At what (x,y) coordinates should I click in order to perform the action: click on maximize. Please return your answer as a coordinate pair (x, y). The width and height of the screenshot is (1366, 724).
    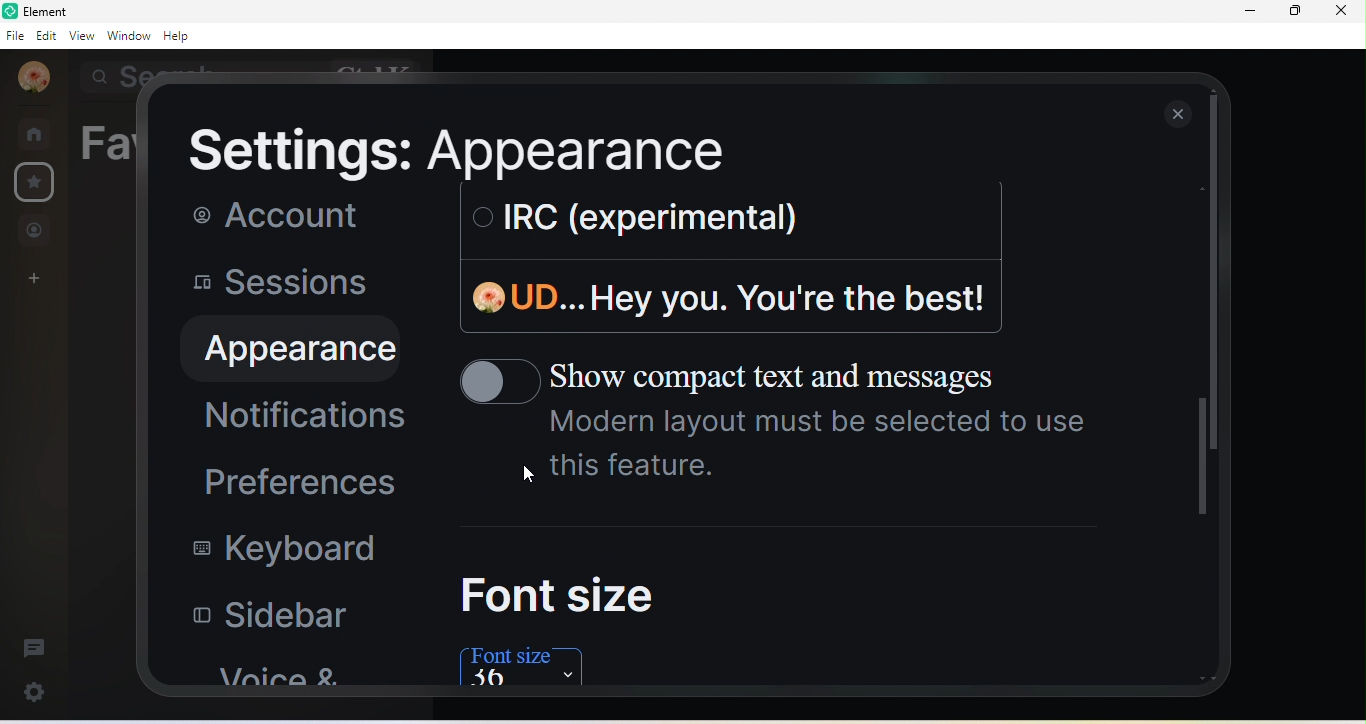
    Looking at the image, I should click on (1295, 15).